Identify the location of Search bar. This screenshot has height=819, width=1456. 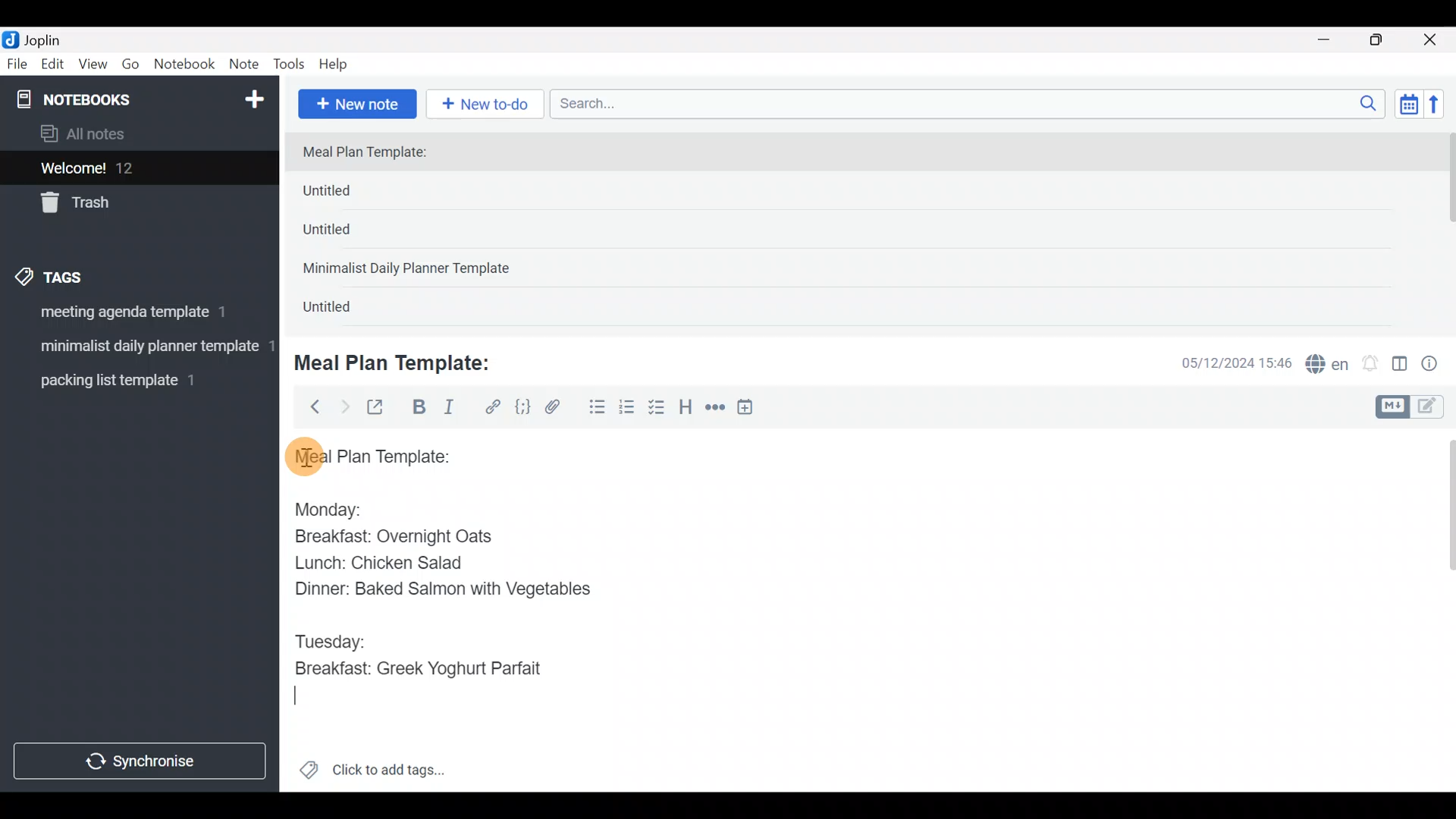
(971, 102).